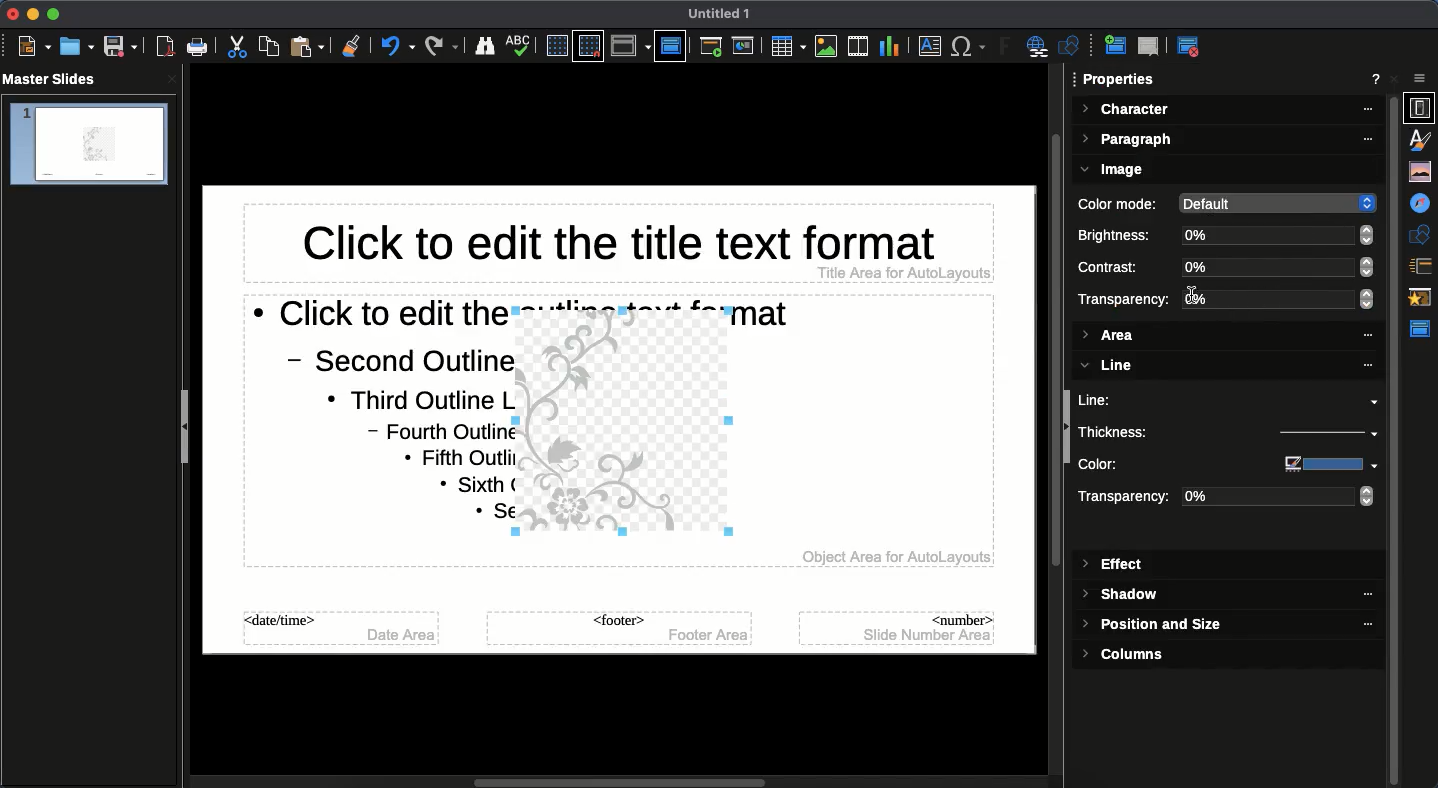 The width and height of the screenshot is (1438, 788). I want to click on Shadow, so click(1124, 596).